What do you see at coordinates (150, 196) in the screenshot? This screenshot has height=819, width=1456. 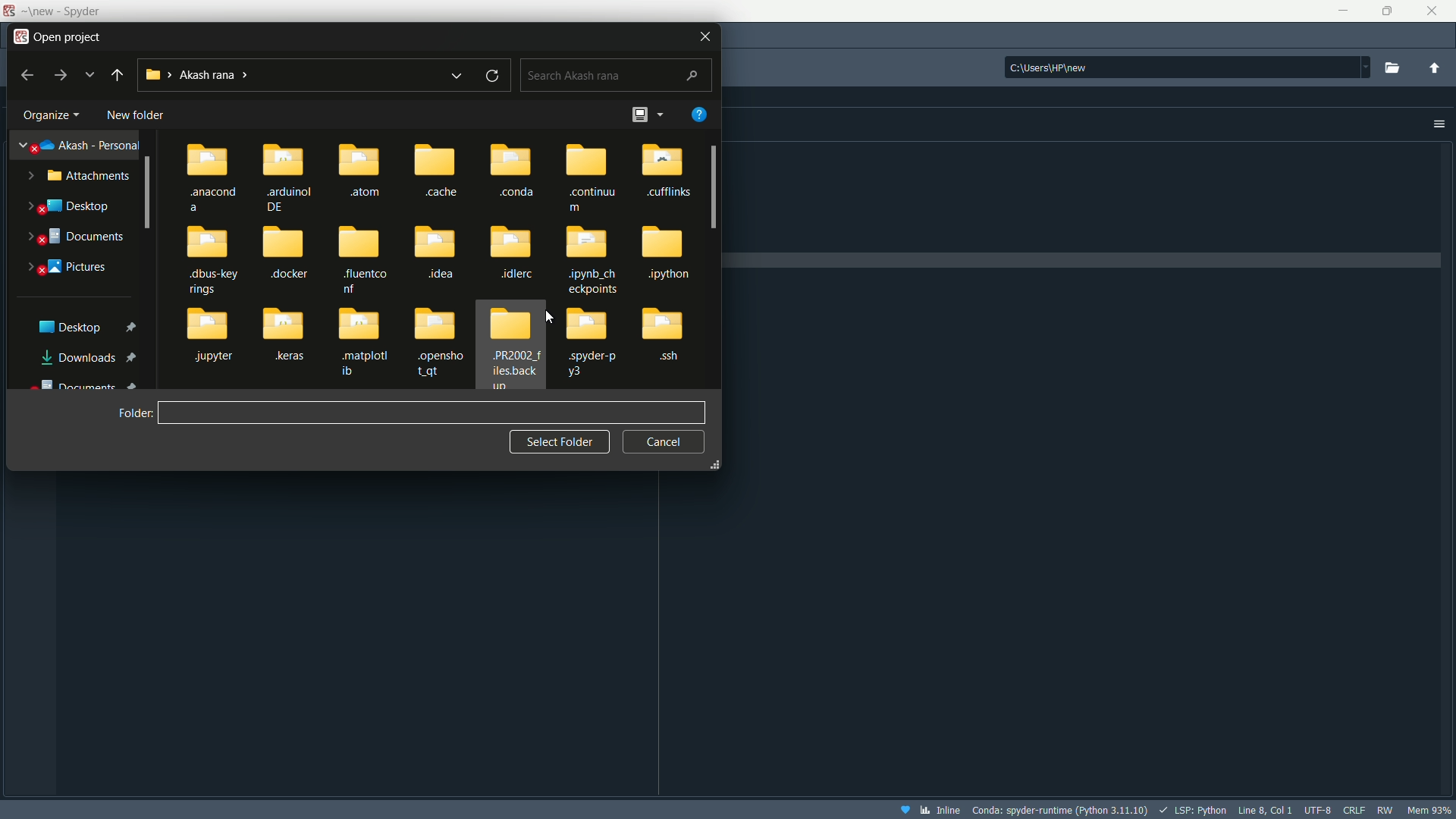 I see `Scrollbar` at bounding box center [150, 196].